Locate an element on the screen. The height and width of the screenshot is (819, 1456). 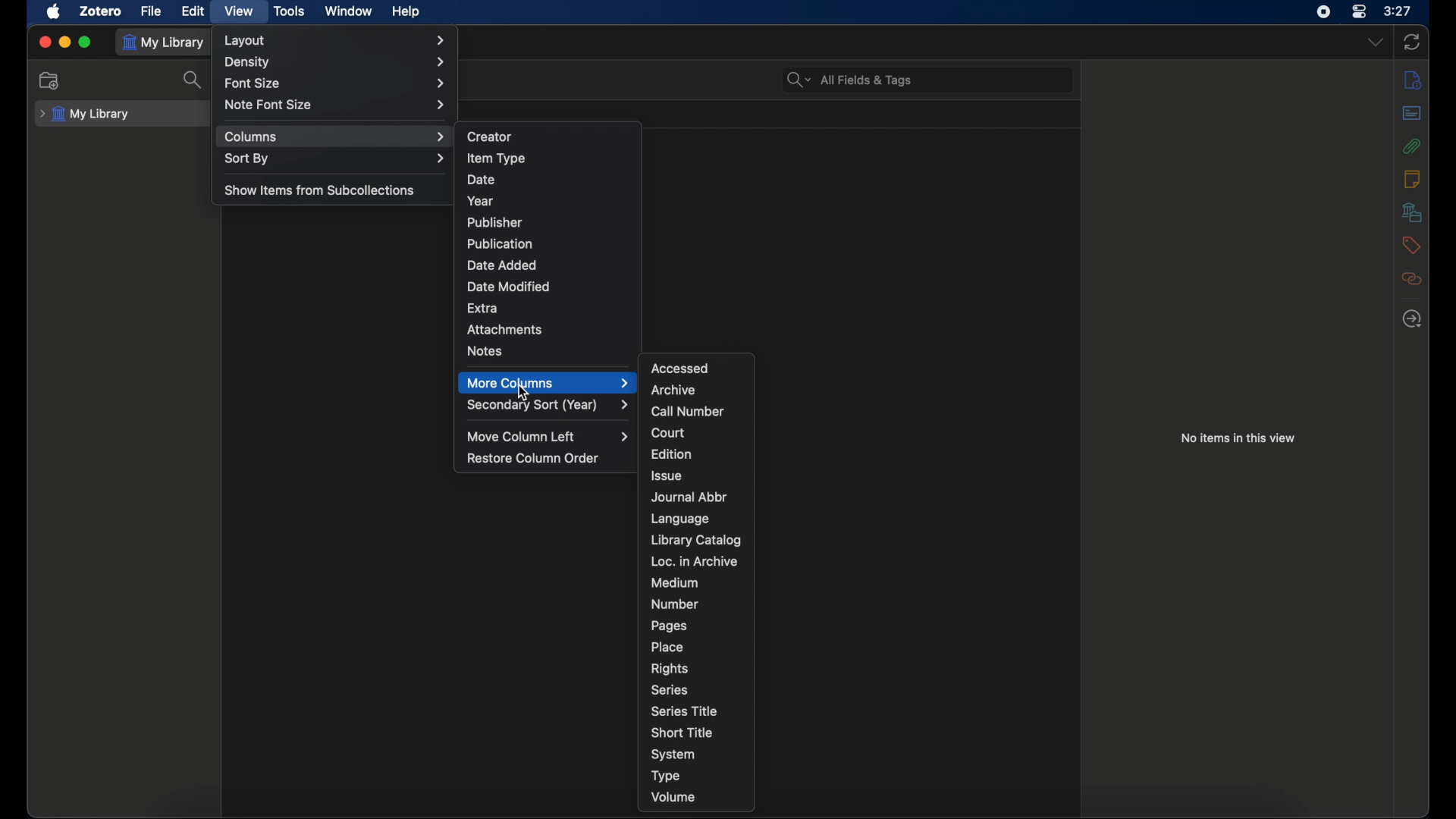
edition is located at coordinates (673, 453).